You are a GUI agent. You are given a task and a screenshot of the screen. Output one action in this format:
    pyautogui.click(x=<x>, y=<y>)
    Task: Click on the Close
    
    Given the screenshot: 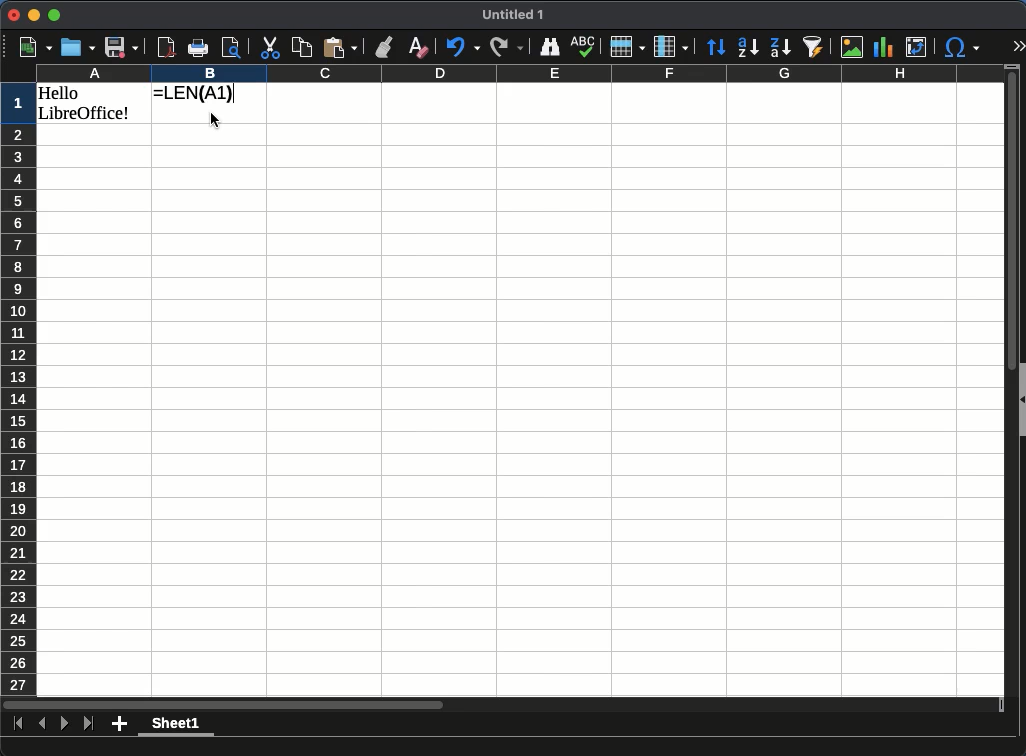 What is the action you would take?
    pyautogui.click(x=13, y=15)
    